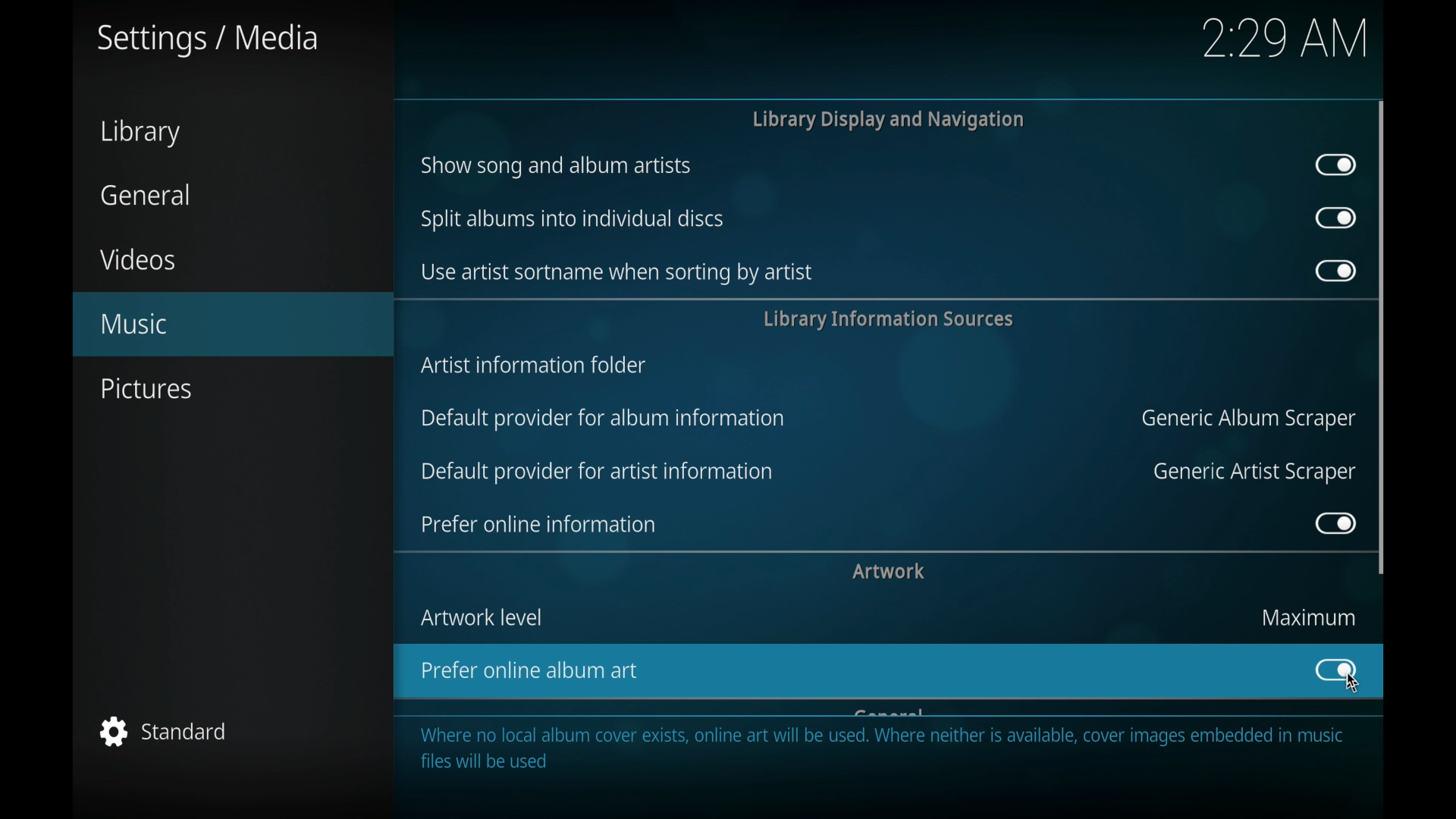  What do you see at coordinates (597, 471) in the screenshot?
I see `default provider for artist information` at bounding box center [597, 471].